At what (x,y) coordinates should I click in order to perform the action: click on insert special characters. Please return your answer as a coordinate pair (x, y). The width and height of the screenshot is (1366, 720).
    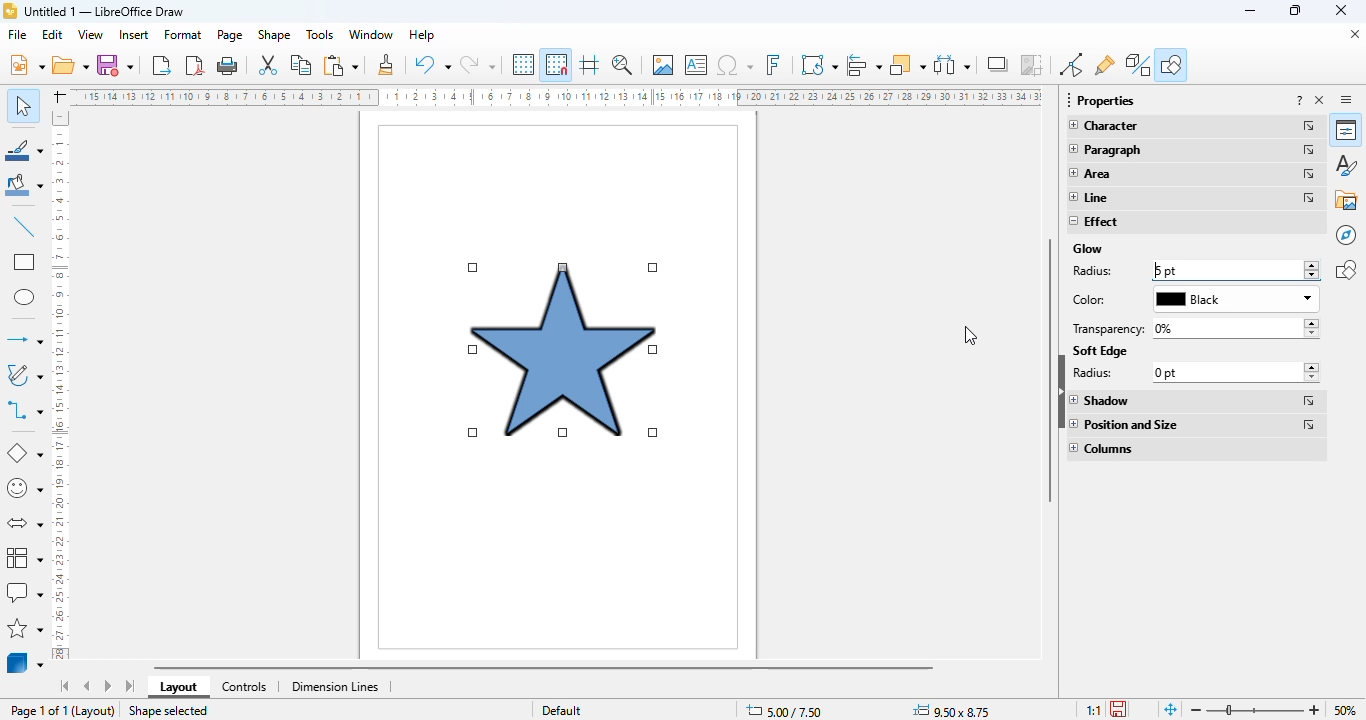
    Looking at the image, I should click on (735, 65).